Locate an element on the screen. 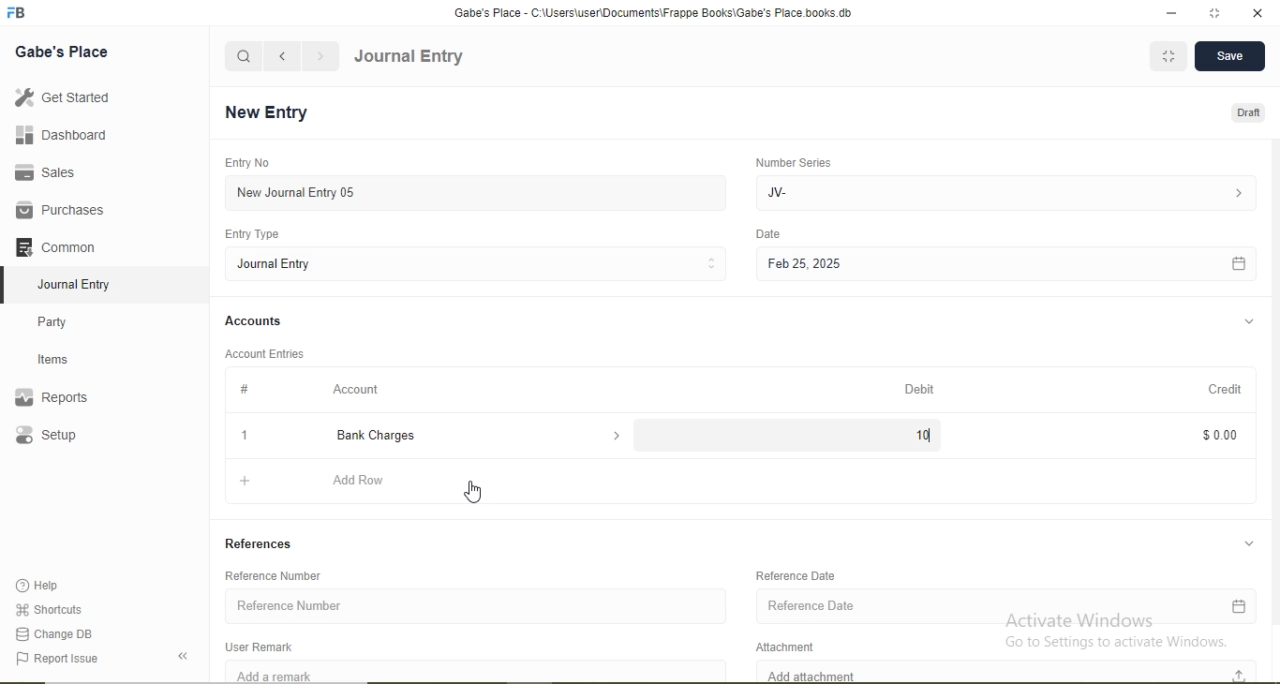  selected is located at coordinates (8, 284).